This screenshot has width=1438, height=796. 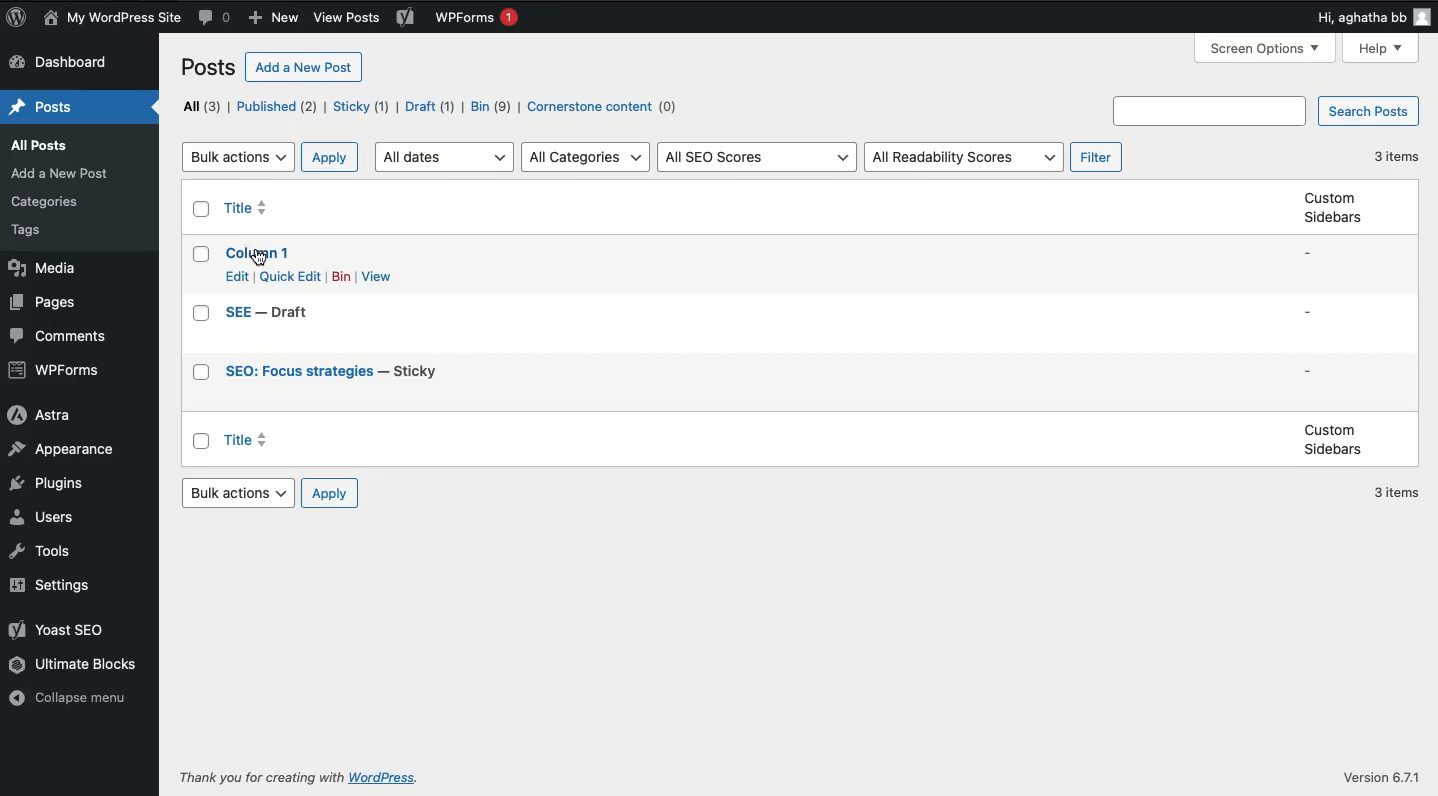 What do you see at coordinates (203, 254) in the screenshot?
I see `Checkbox` at bounding box center [203, 254].